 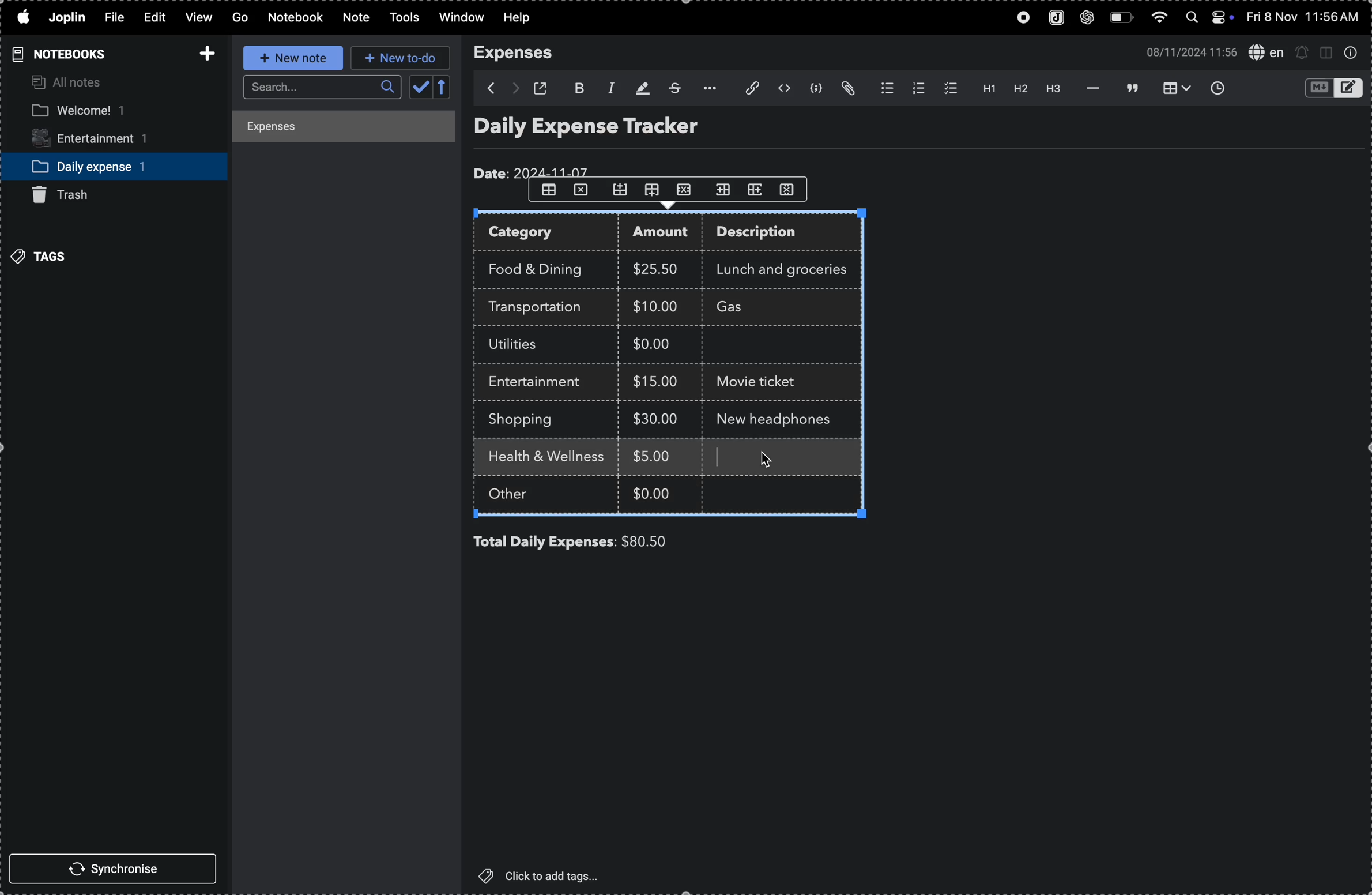 I want to click on add, so click(x=203, y=50).